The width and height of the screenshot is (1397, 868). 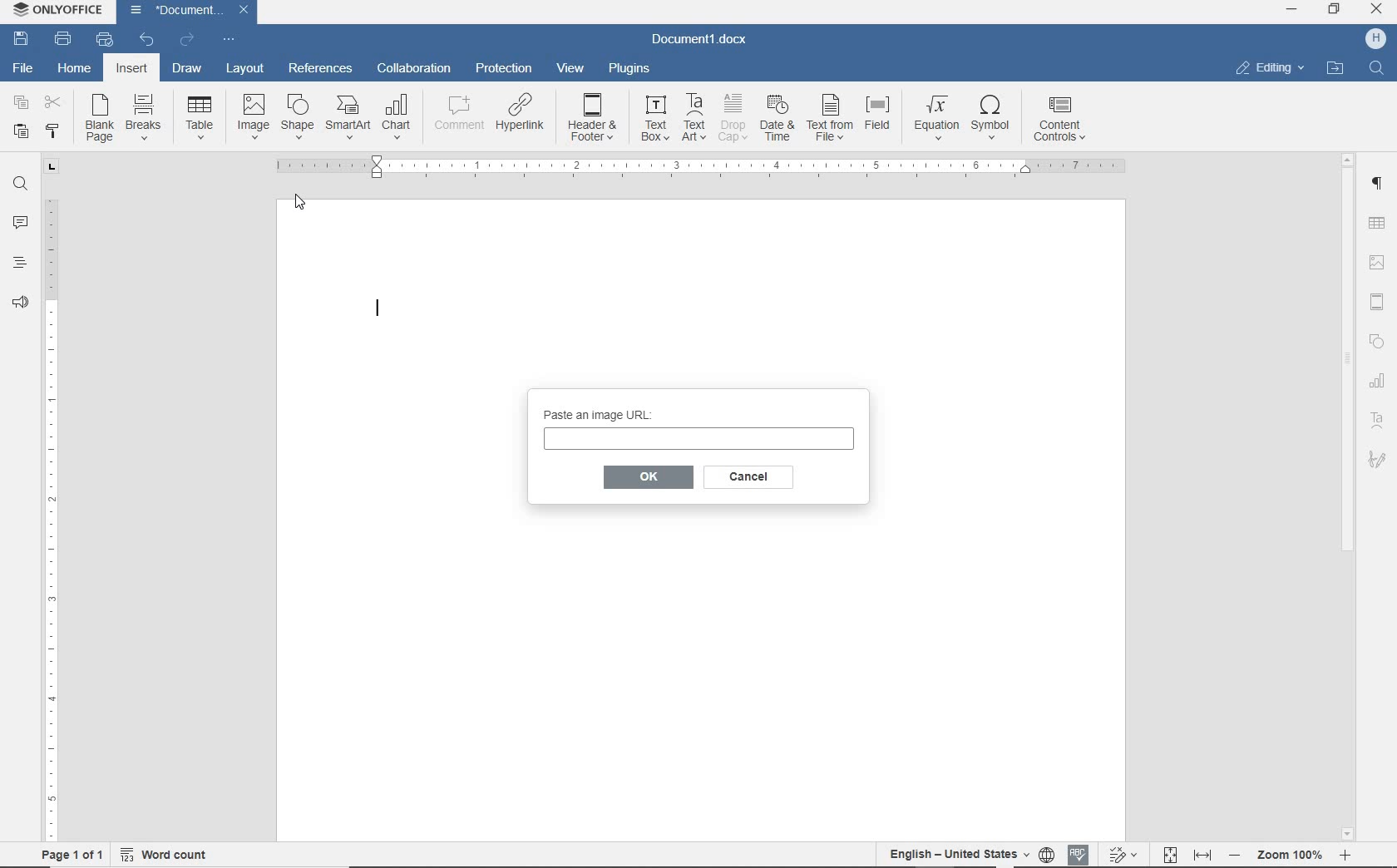 I want to click on paste an image URL, so click(x=600, y=416).